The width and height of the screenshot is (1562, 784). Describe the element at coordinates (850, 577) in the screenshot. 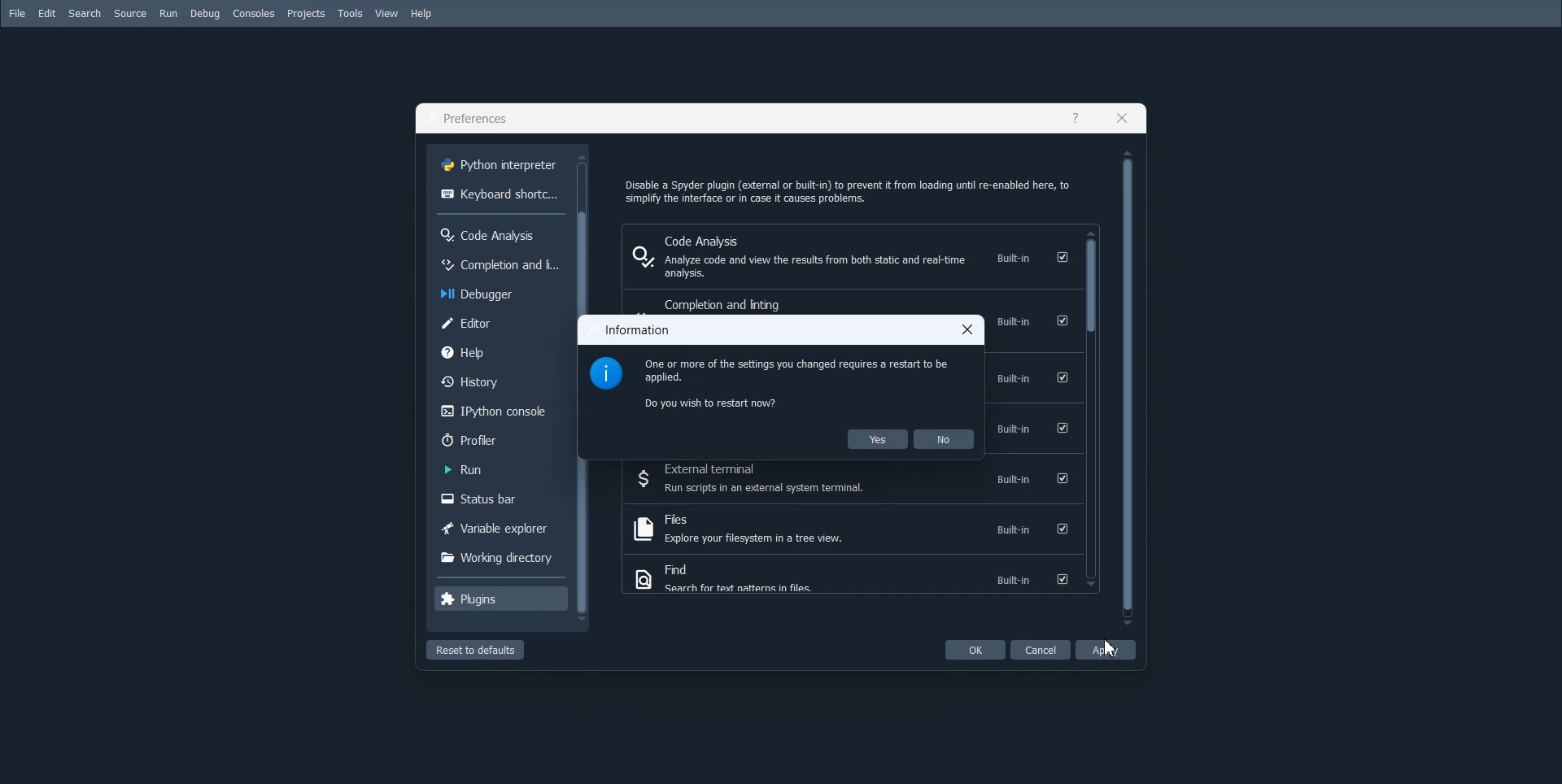

I see `Find` at that location.